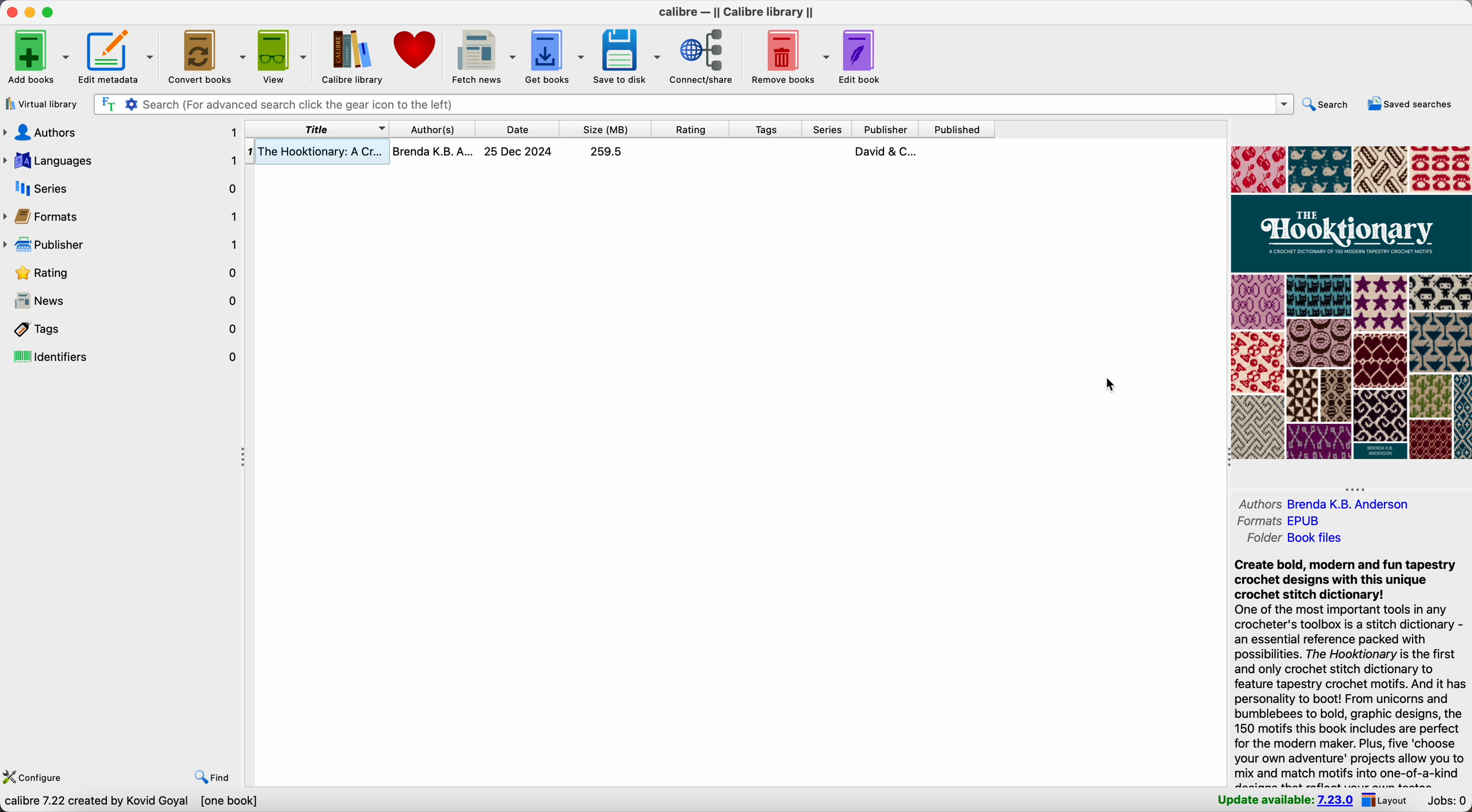 This screenshot has height=812, width=1472. Describe the element at coordinates (517, 129) in the screenshot. I see `date` at that location.